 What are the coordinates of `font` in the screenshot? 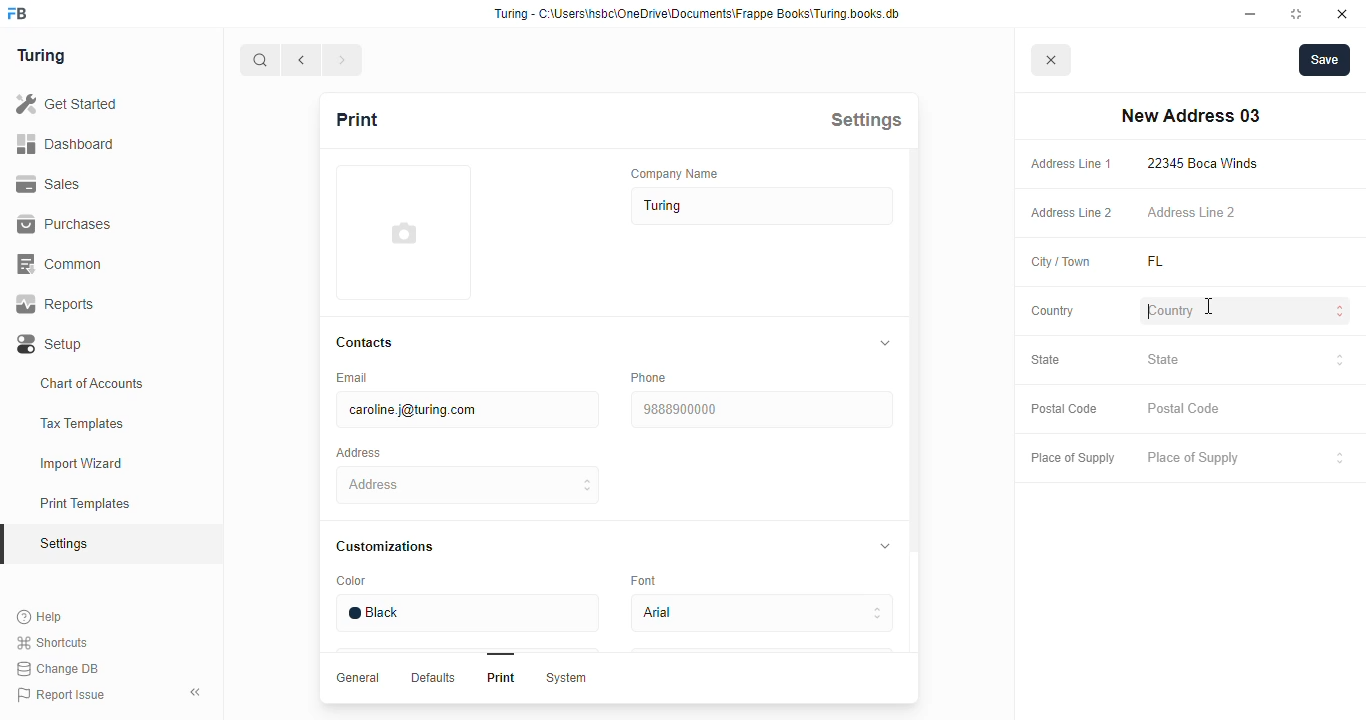 It's located at (647, 579).